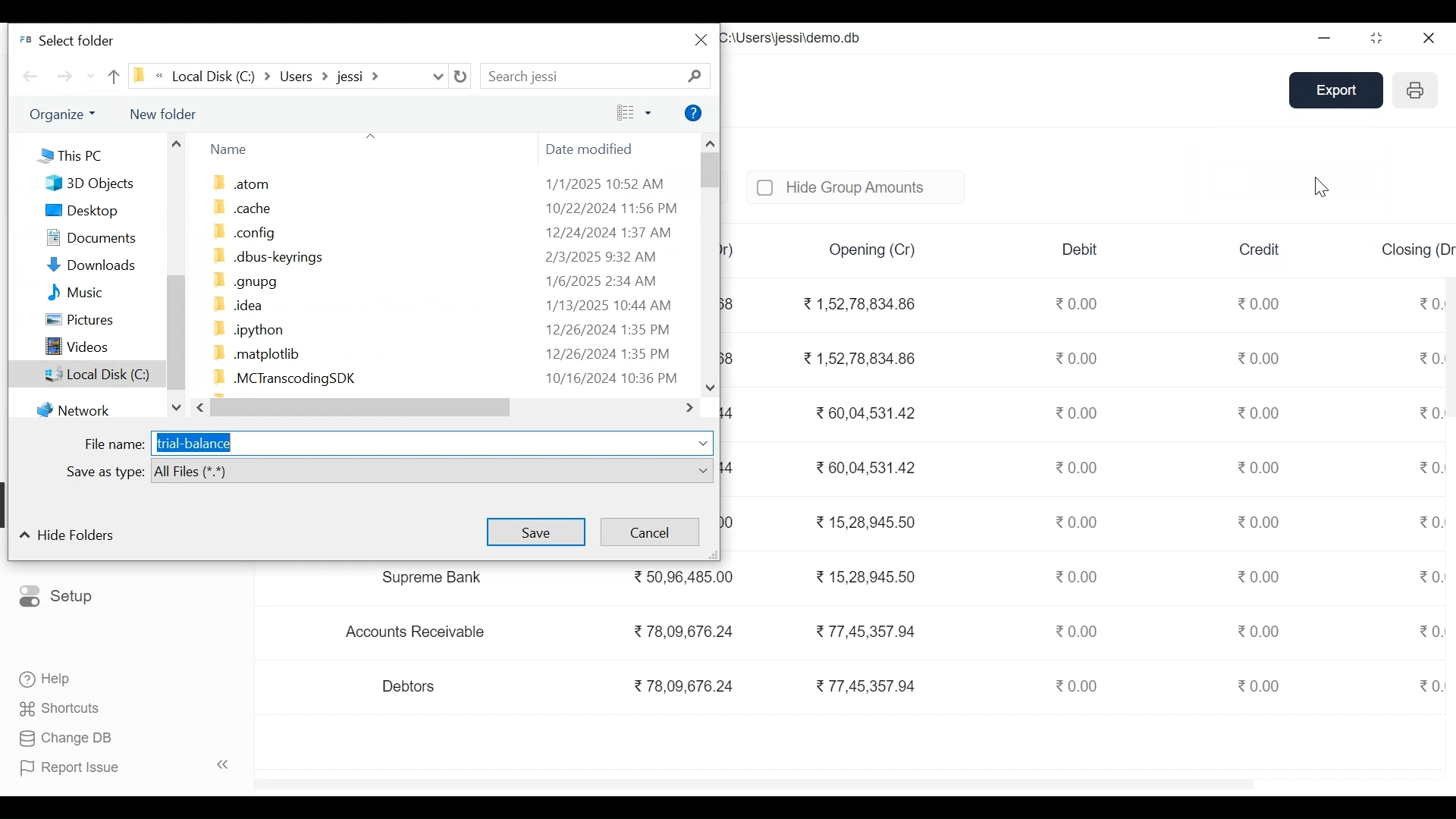 This screenshot has height=819, width=1456. Describe the element at coordinates (175, 333) in the screenshot. I see `Vertical Scroll bar` at that location.